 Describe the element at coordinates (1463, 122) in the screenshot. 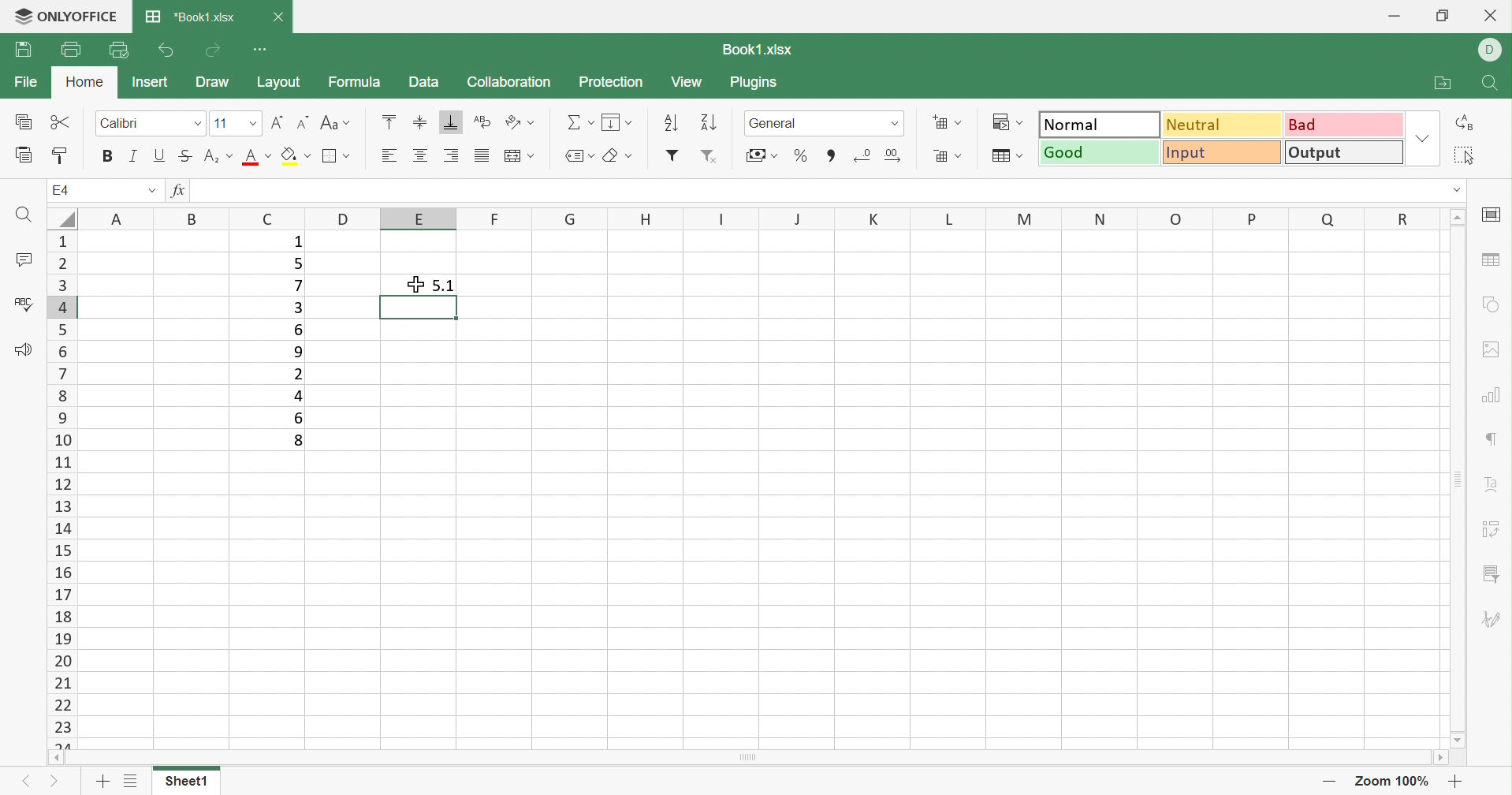

I see `Replace` at that location.